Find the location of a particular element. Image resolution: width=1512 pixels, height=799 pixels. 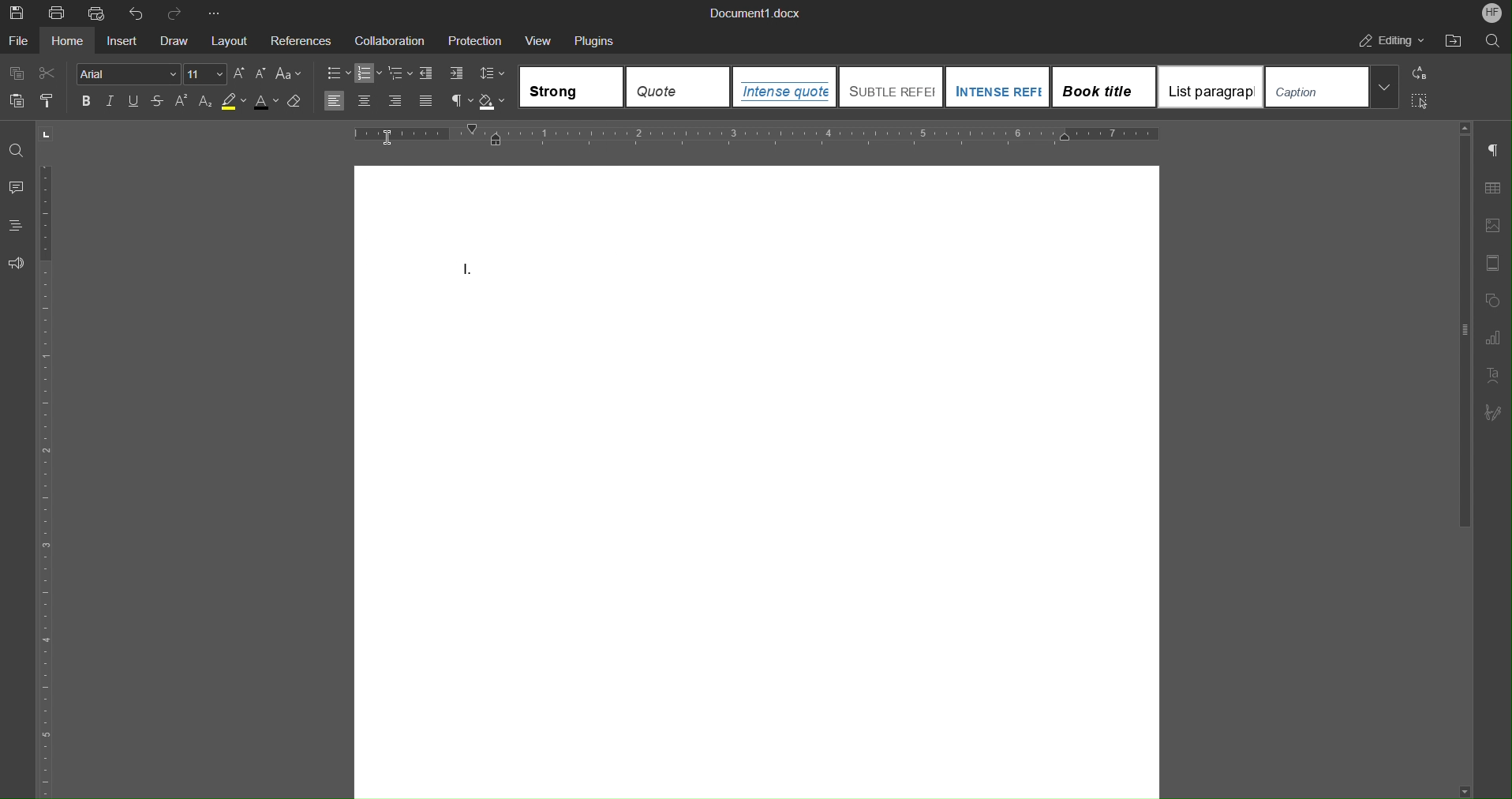

Right Align is located at coordinates (395, 102).